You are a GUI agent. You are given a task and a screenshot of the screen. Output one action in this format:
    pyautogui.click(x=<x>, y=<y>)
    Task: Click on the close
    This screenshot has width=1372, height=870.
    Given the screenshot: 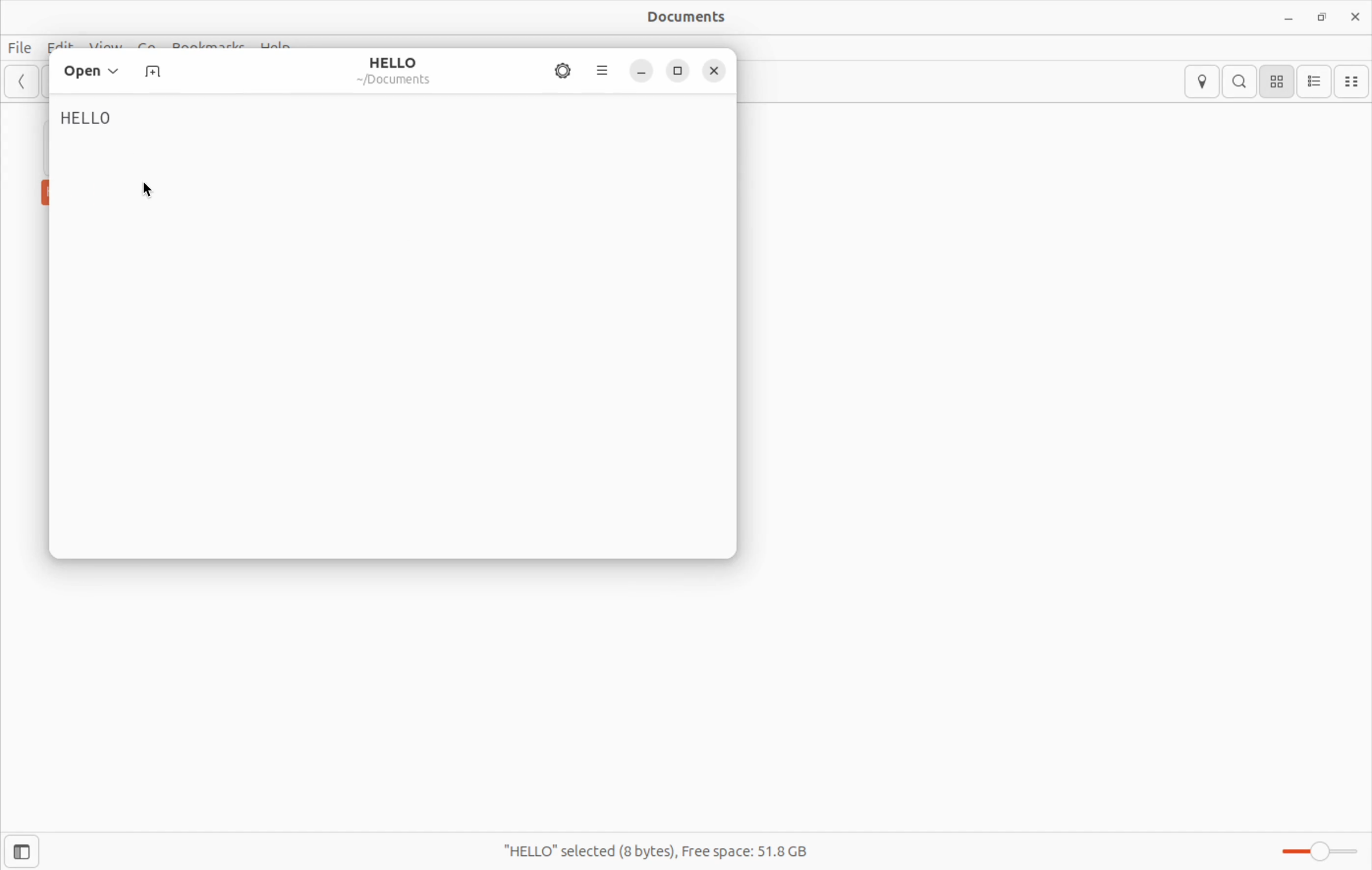 What is the action you would take?
    pyautogui.click(x=1351, y=17)
    